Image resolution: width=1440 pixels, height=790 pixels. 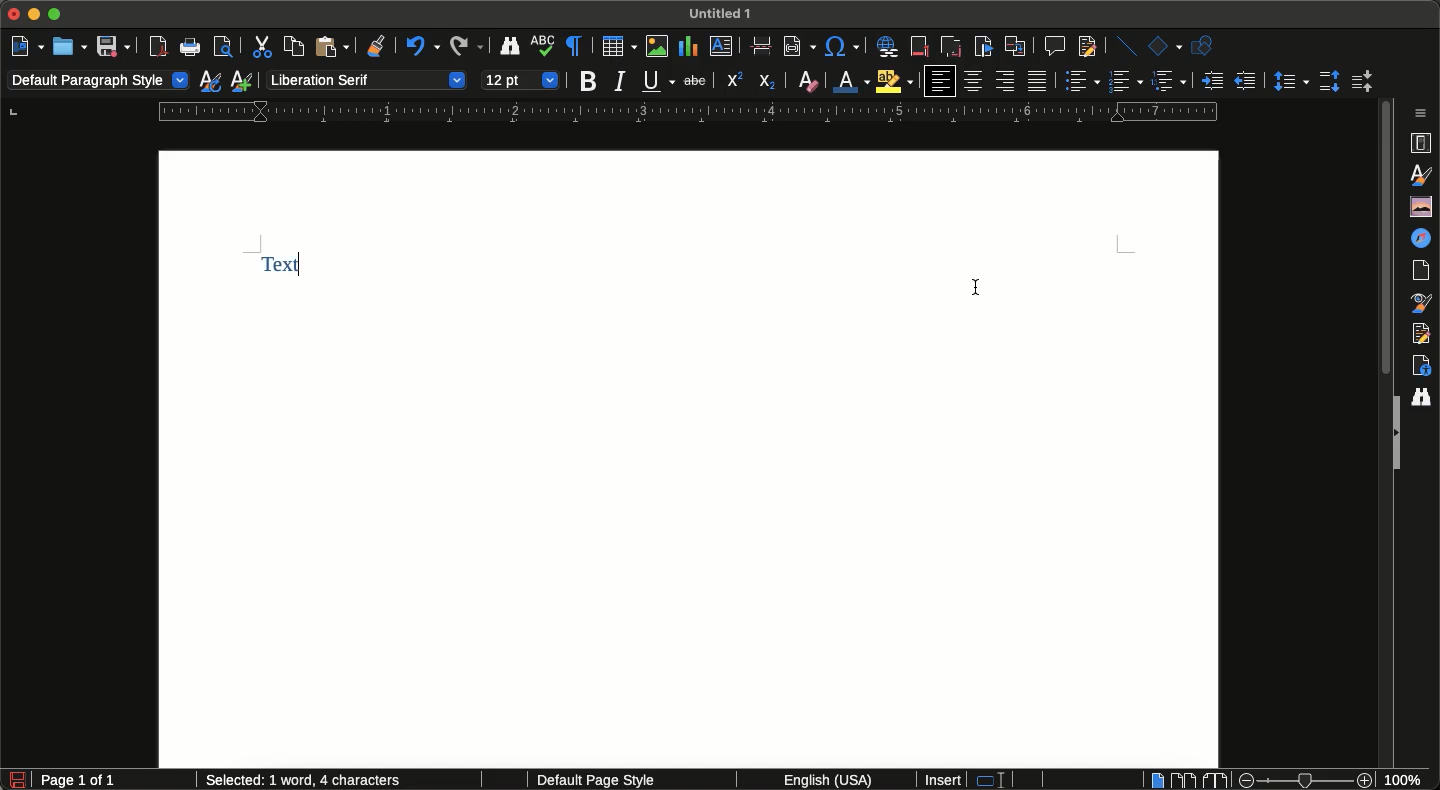 I want to click on Minimize, so click(x=37, y=16).